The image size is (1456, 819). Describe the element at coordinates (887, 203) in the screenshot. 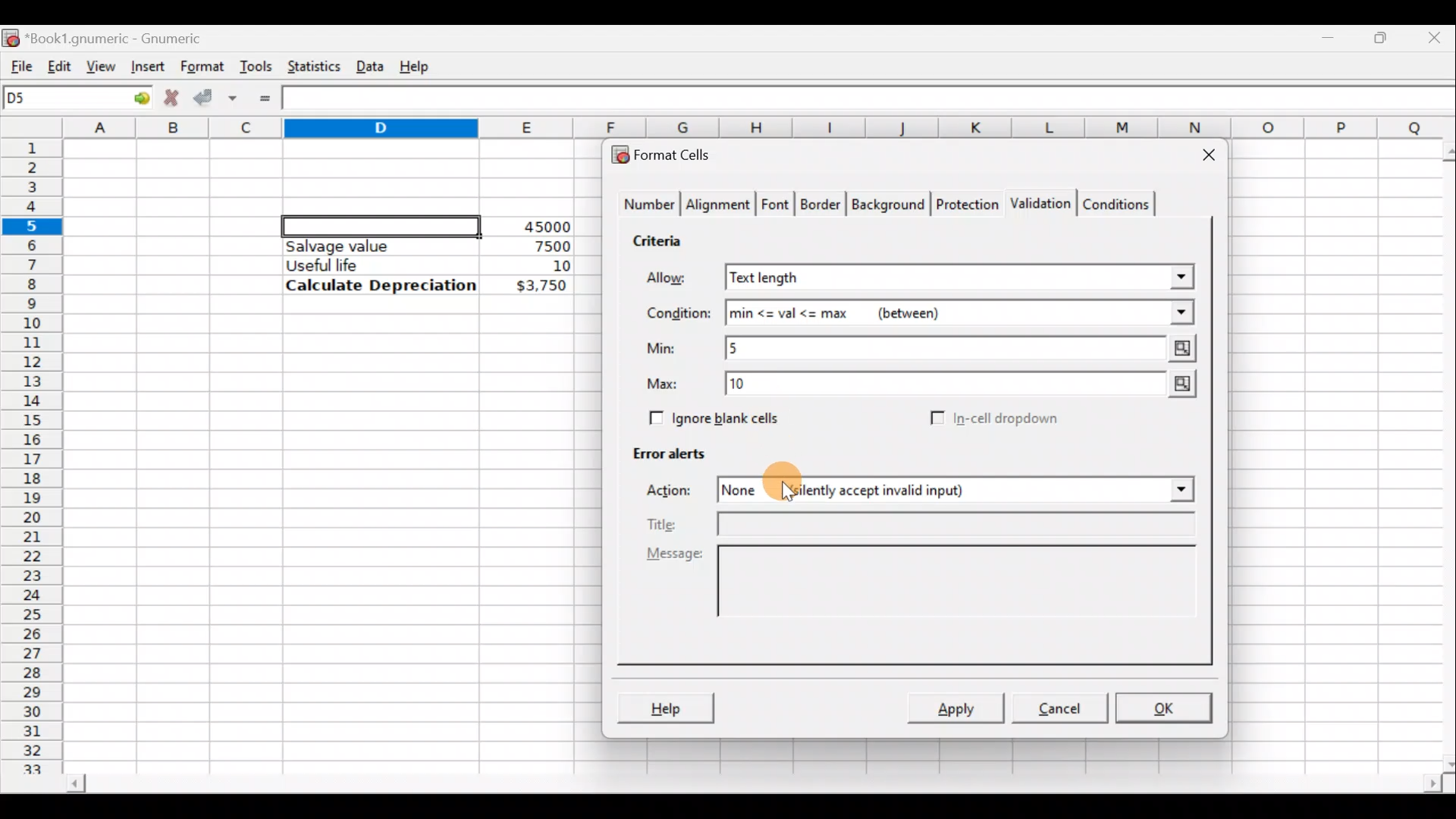

I see `Background` at that location.